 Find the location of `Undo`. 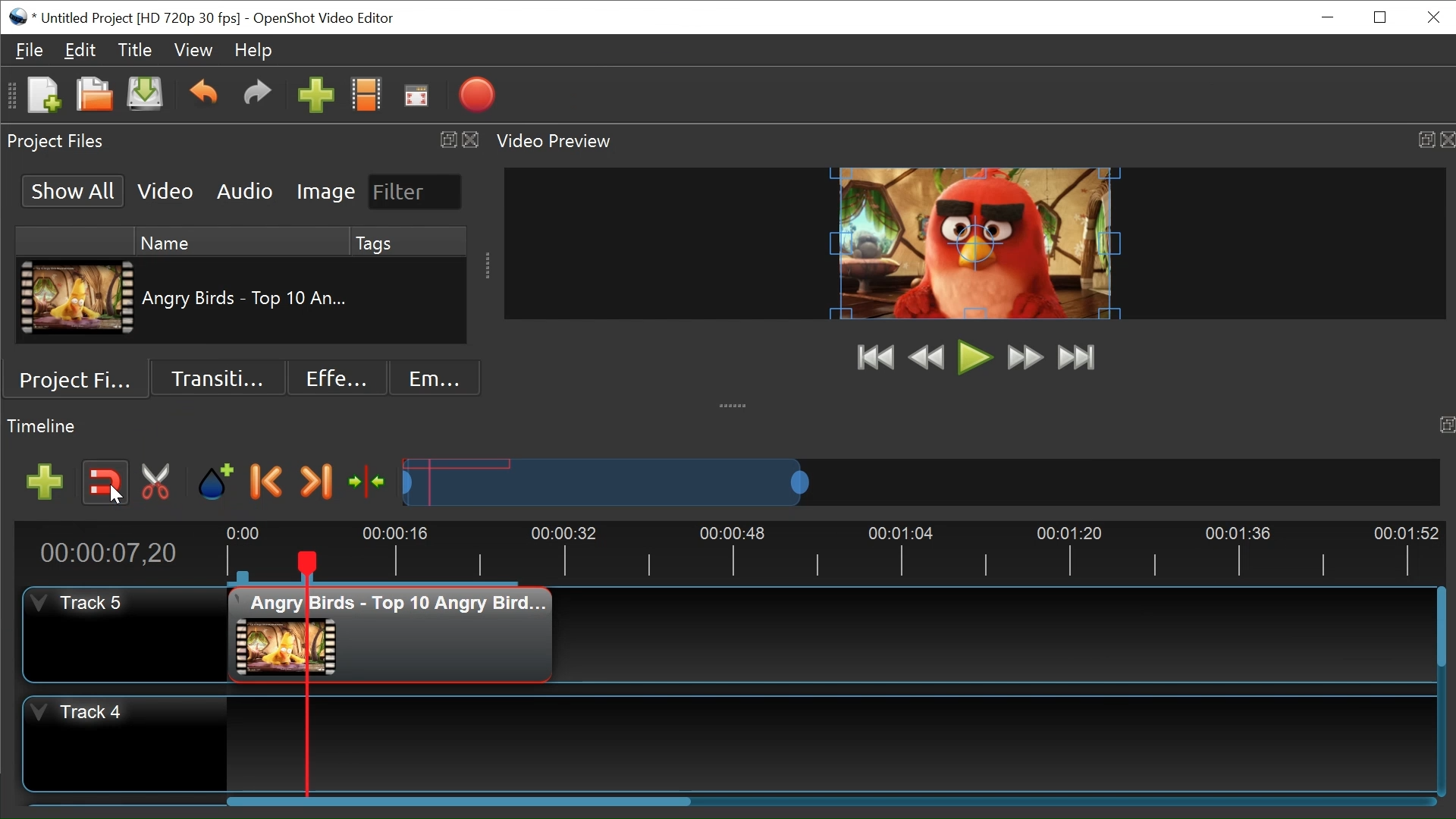

Undo is located at coordinates (202, 97).